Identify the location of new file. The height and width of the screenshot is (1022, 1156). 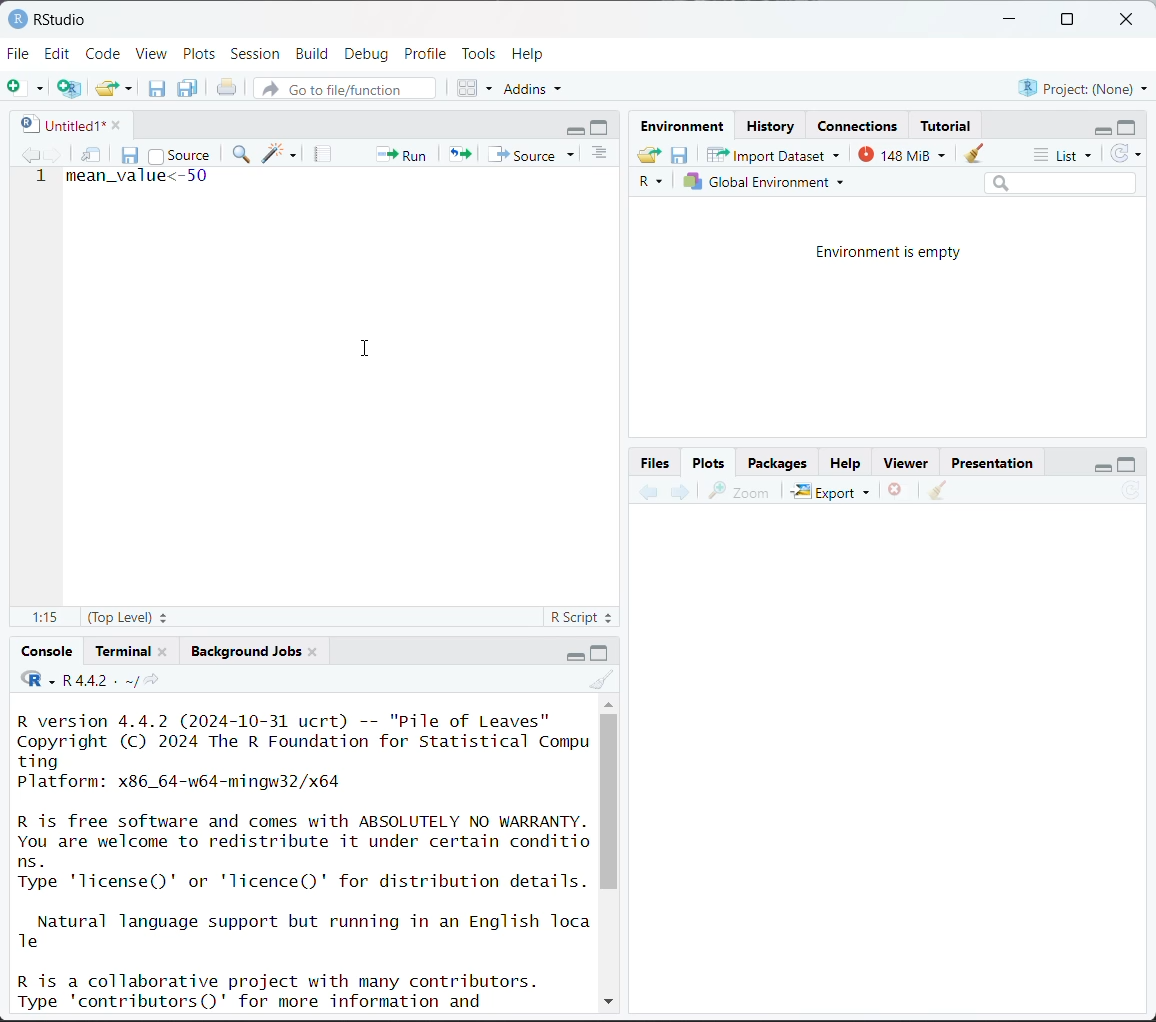
(25, 88).